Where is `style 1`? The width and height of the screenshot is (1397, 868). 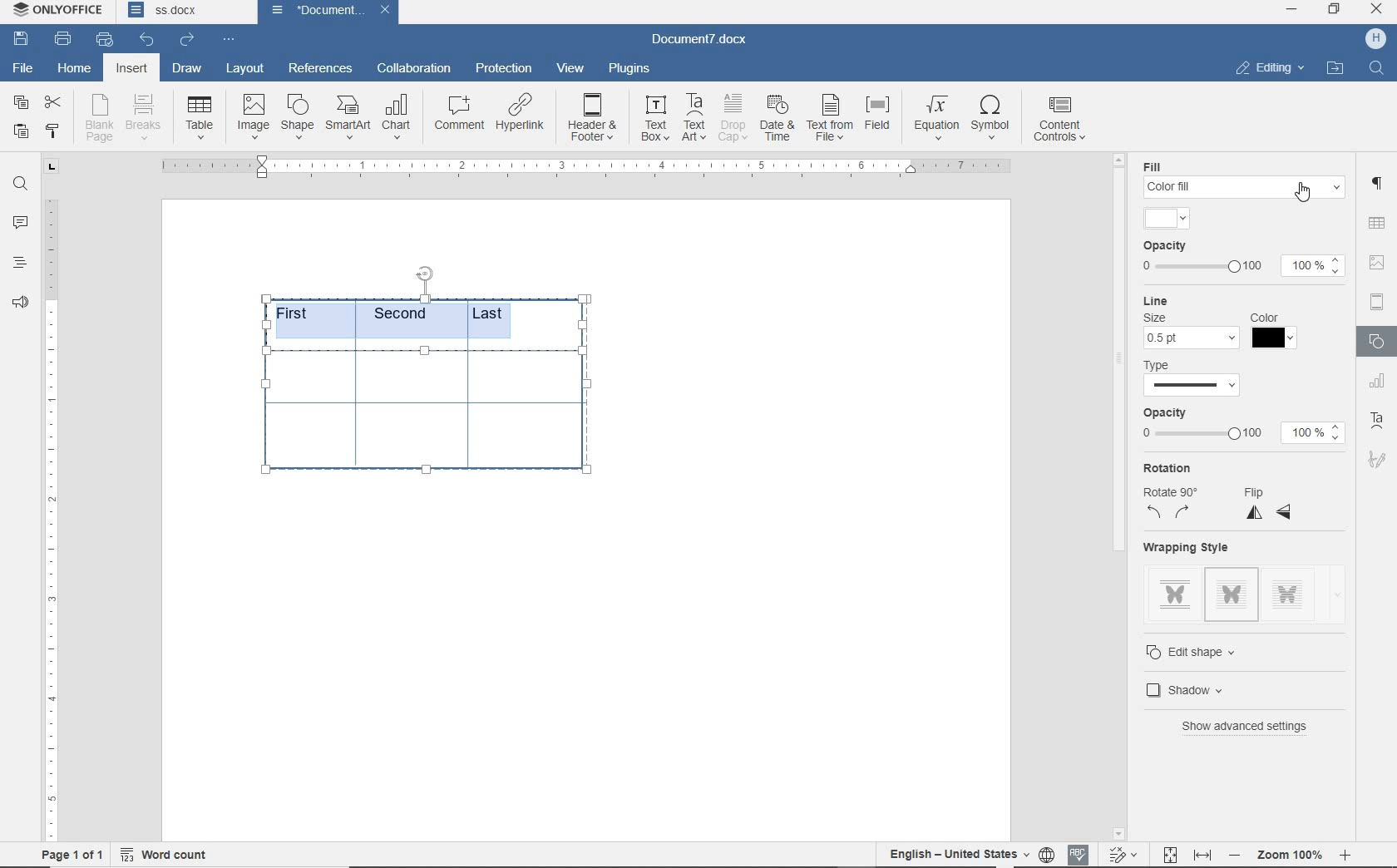
style 1 is located at coordinates (1175, 591).